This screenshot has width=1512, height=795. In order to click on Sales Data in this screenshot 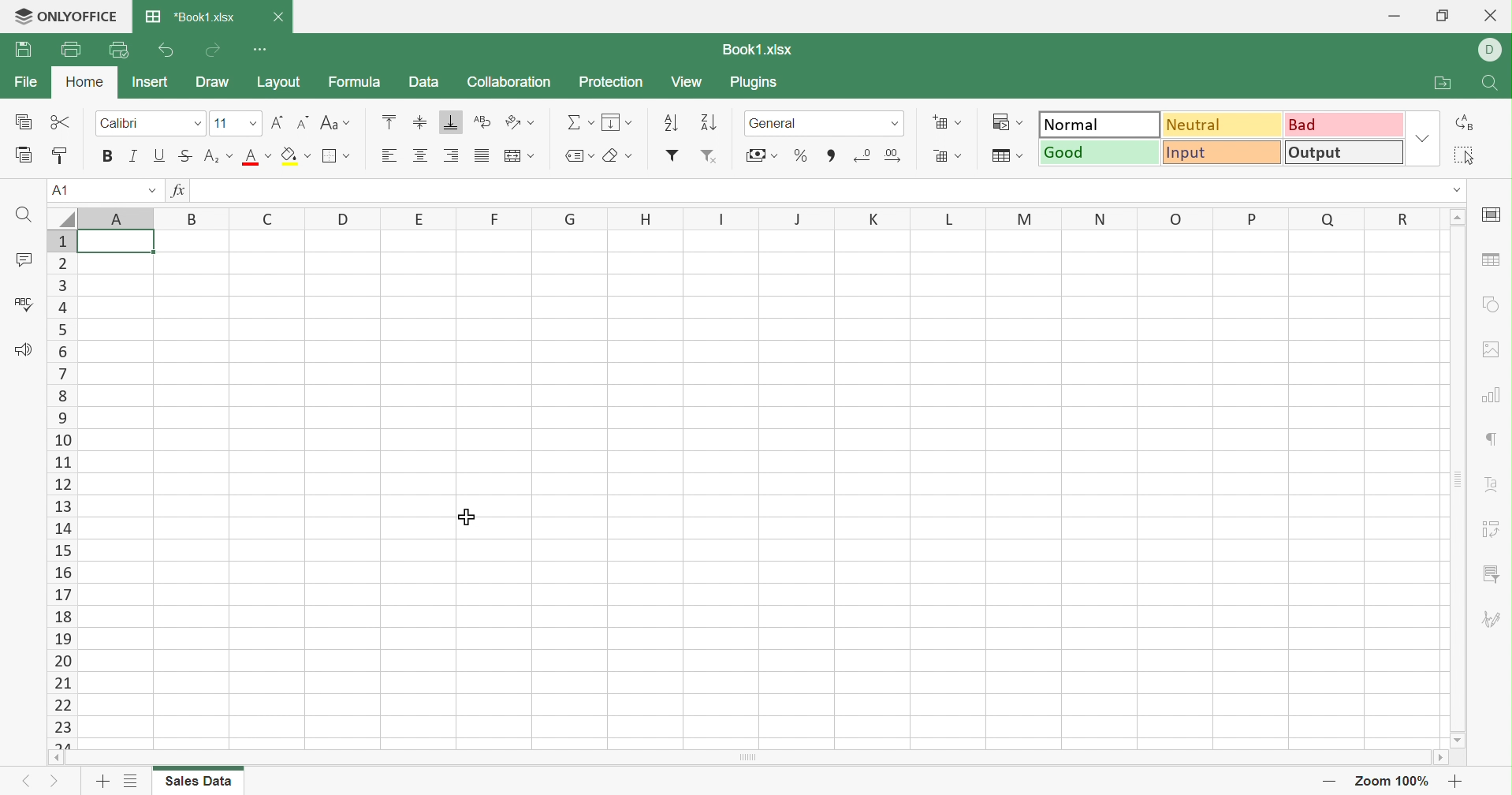, I will do `click(203, 782)`.